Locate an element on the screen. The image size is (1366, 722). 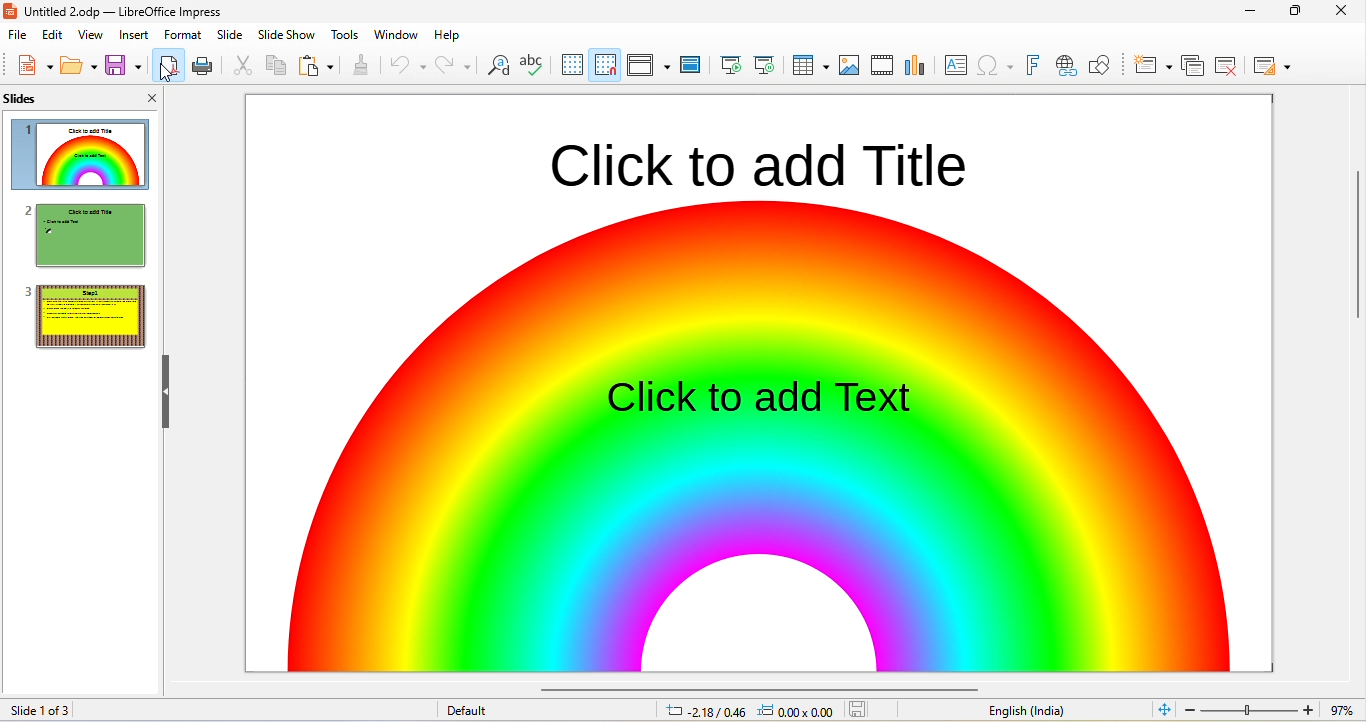
title is located at coordinates (128, 11).